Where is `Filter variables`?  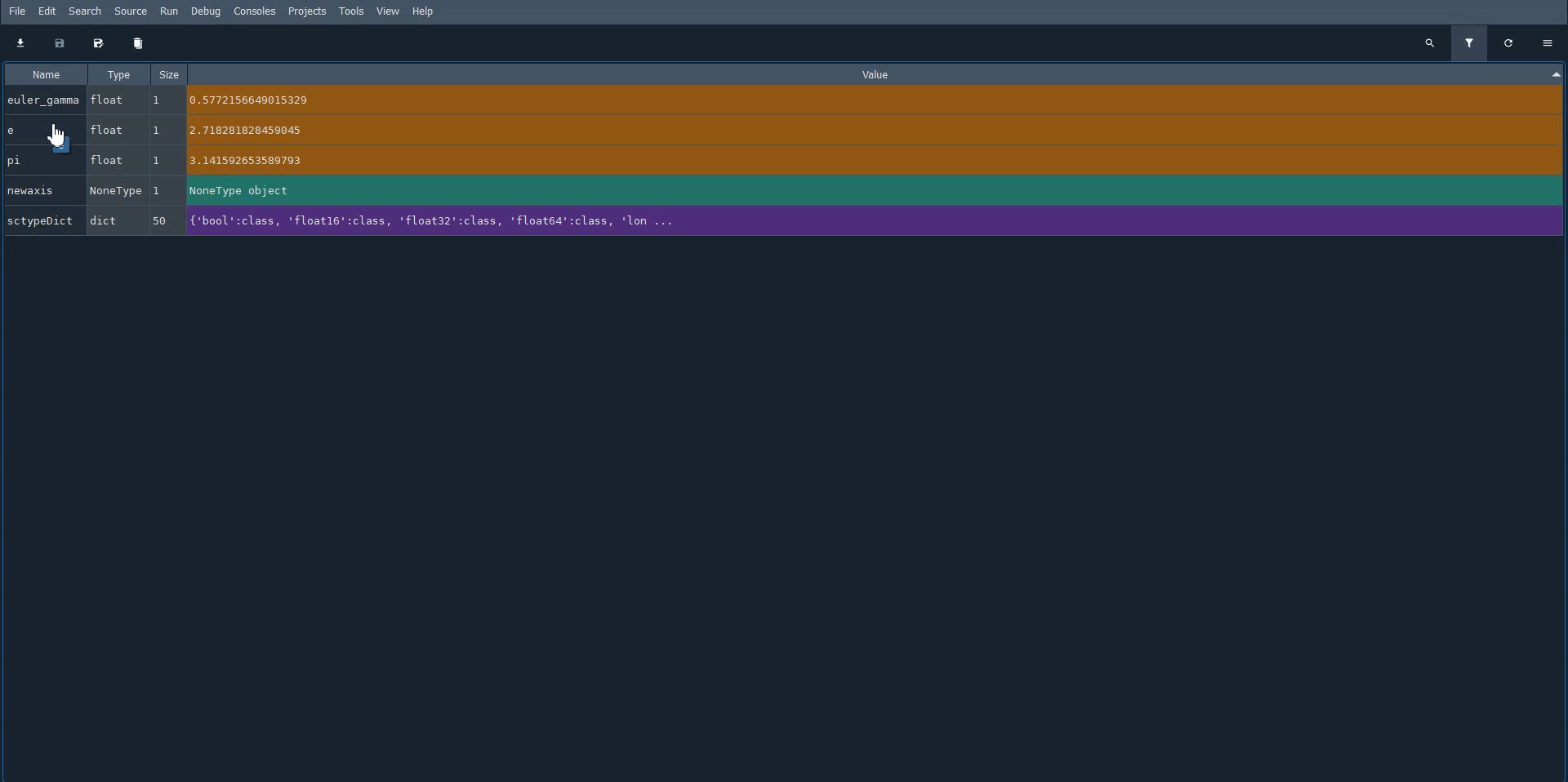
Filter variables is located at coordinates (1472, 42).